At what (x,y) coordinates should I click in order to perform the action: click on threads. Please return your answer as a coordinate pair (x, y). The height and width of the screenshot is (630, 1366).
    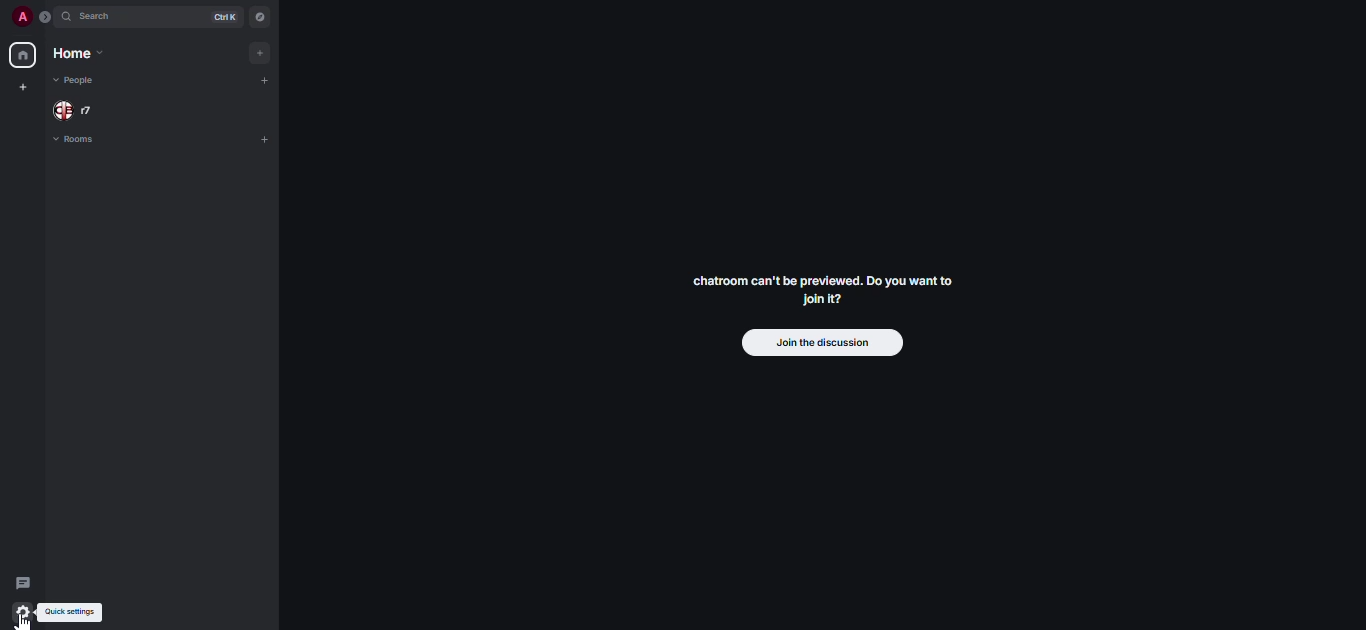
    Looking at the image, I should click on (23, 581).